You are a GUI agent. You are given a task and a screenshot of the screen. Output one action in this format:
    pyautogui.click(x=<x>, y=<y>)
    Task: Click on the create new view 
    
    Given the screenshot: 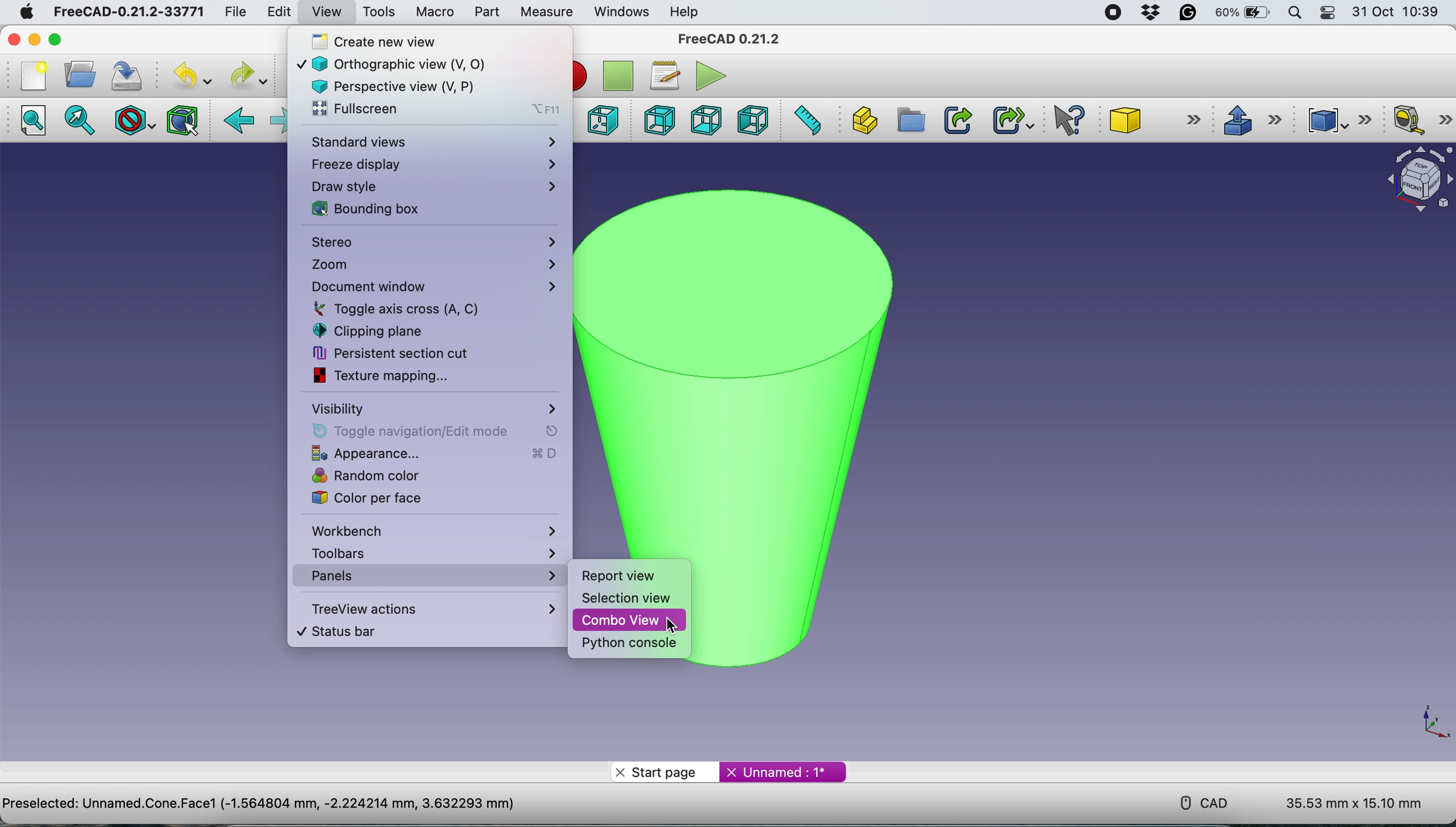 What is the action you would take?
    pyautogui.click(x=423, y=41)
    